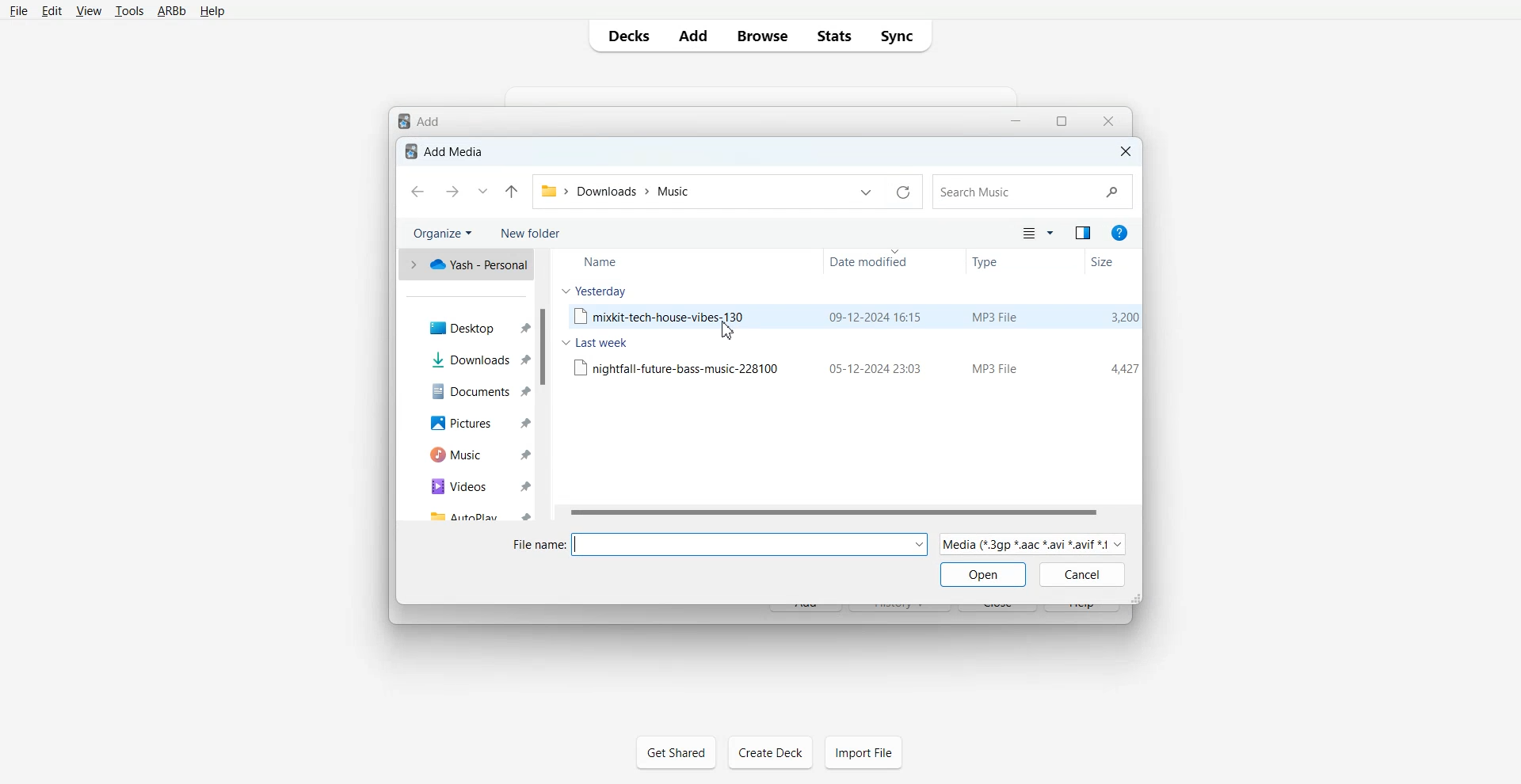 The image size is (1521, 784). I want to click on Text, so click(446, 150).